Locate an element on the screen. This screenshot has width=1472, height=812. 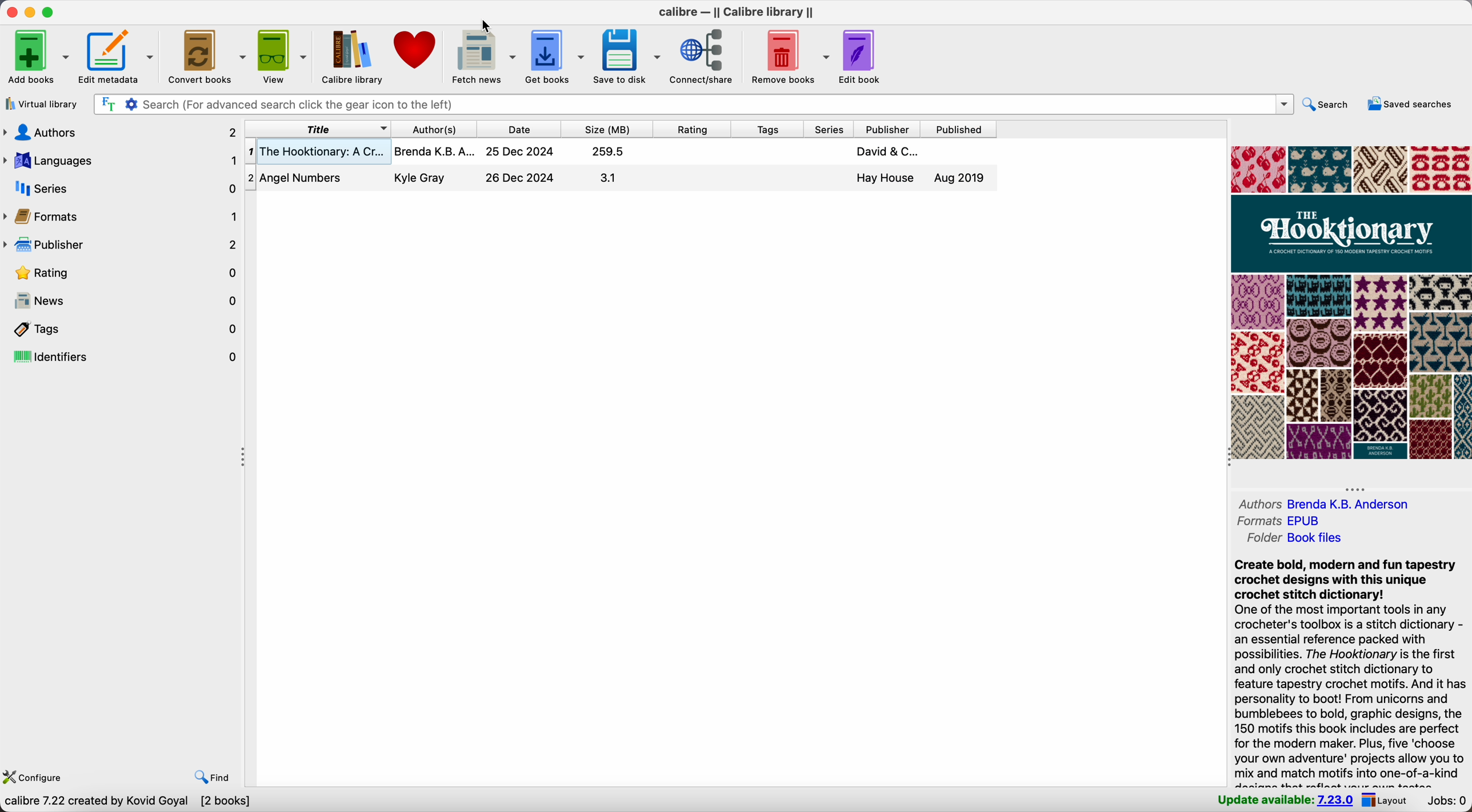
Calibre is located at coordinates (733, 13).